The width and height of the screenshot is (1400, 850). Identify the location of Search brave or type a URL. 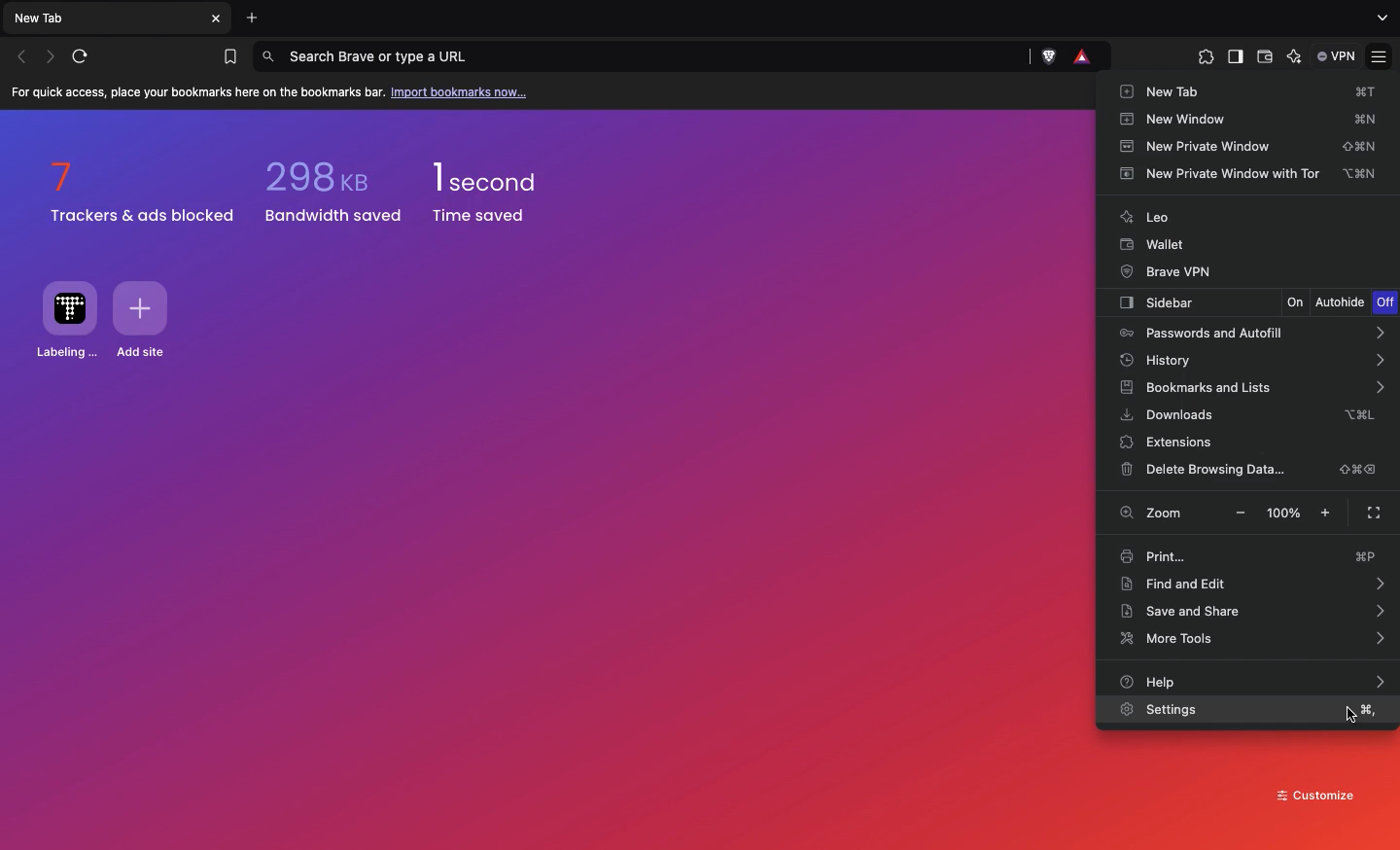
(644, 57).